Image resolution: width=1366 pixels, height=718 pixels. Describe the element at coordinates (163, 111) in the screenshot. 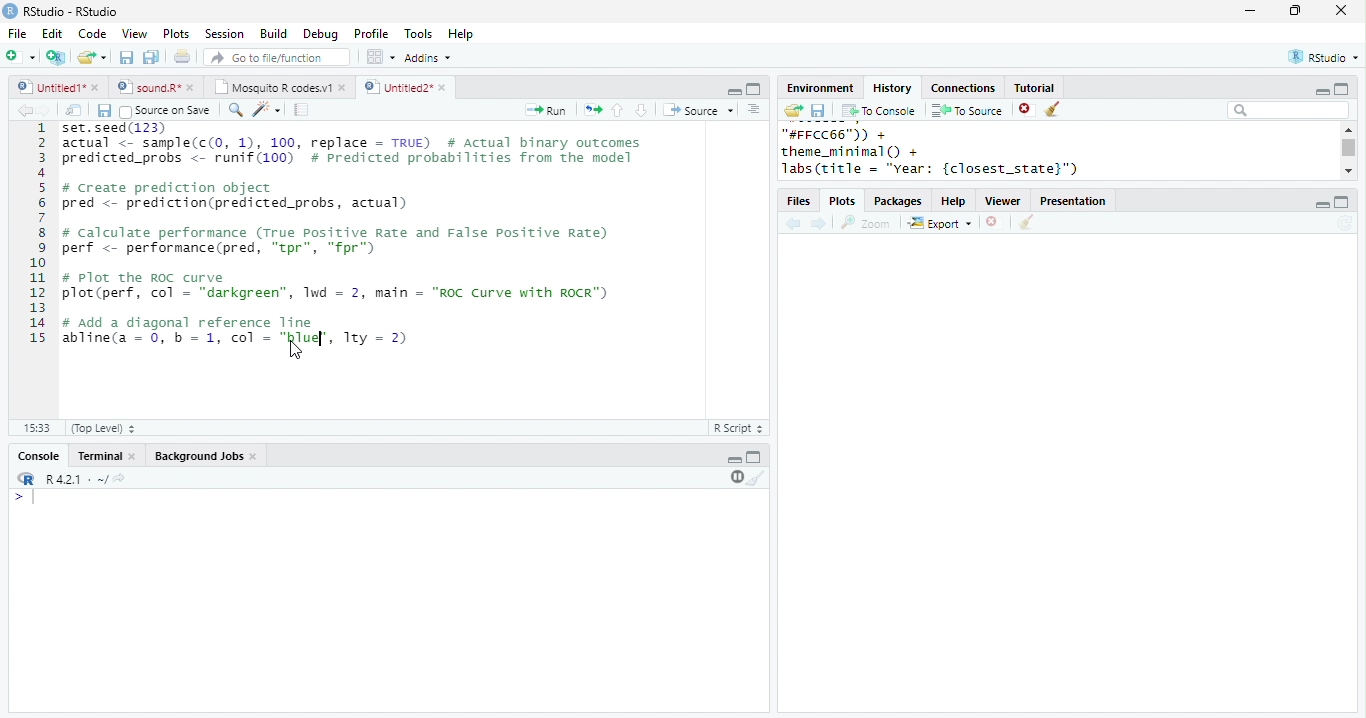

I see `Source on Save` at that location.